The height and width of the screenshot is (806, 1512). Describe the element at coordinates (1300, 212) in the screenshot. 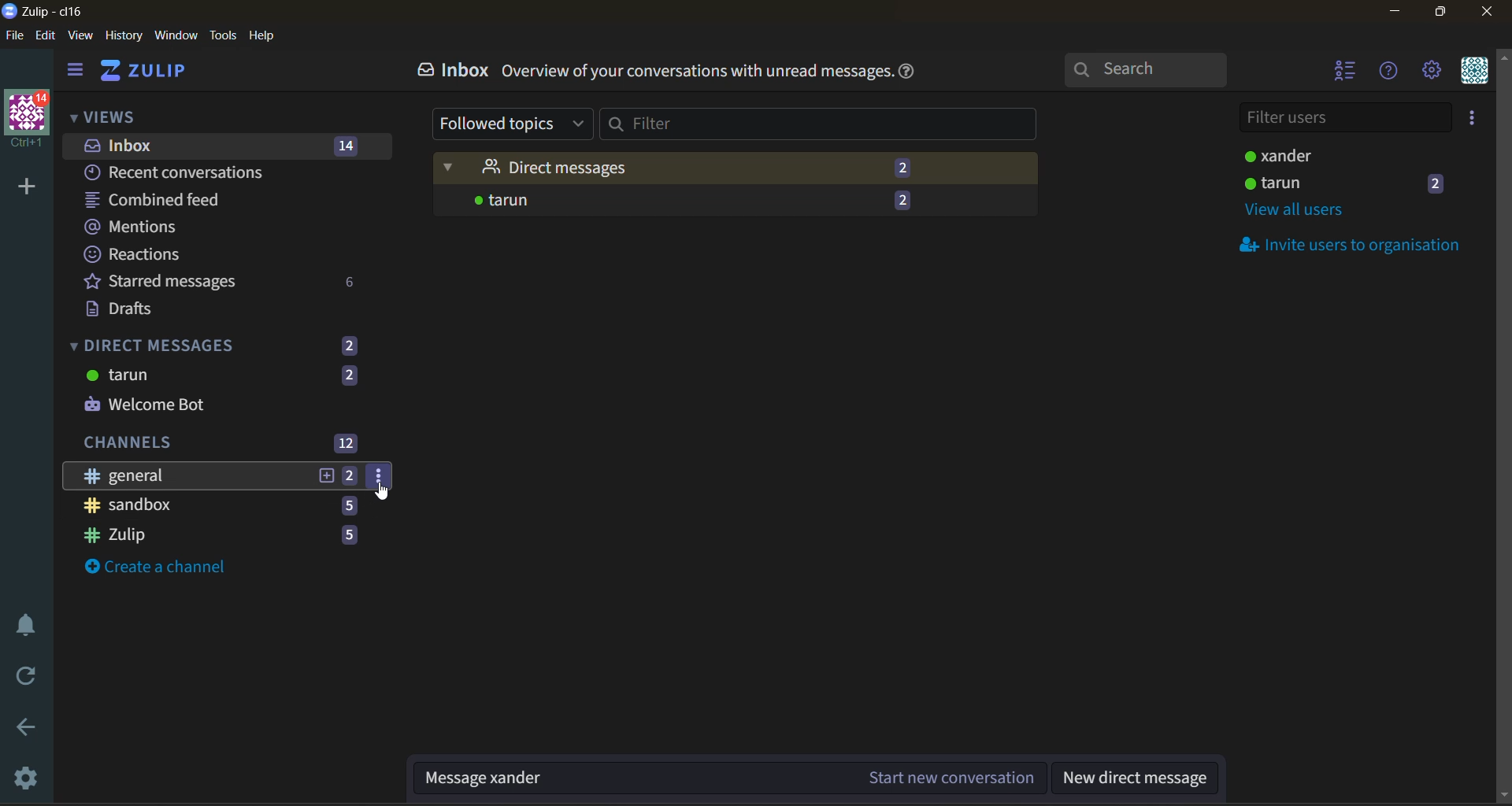

I see `view all users` at that location.